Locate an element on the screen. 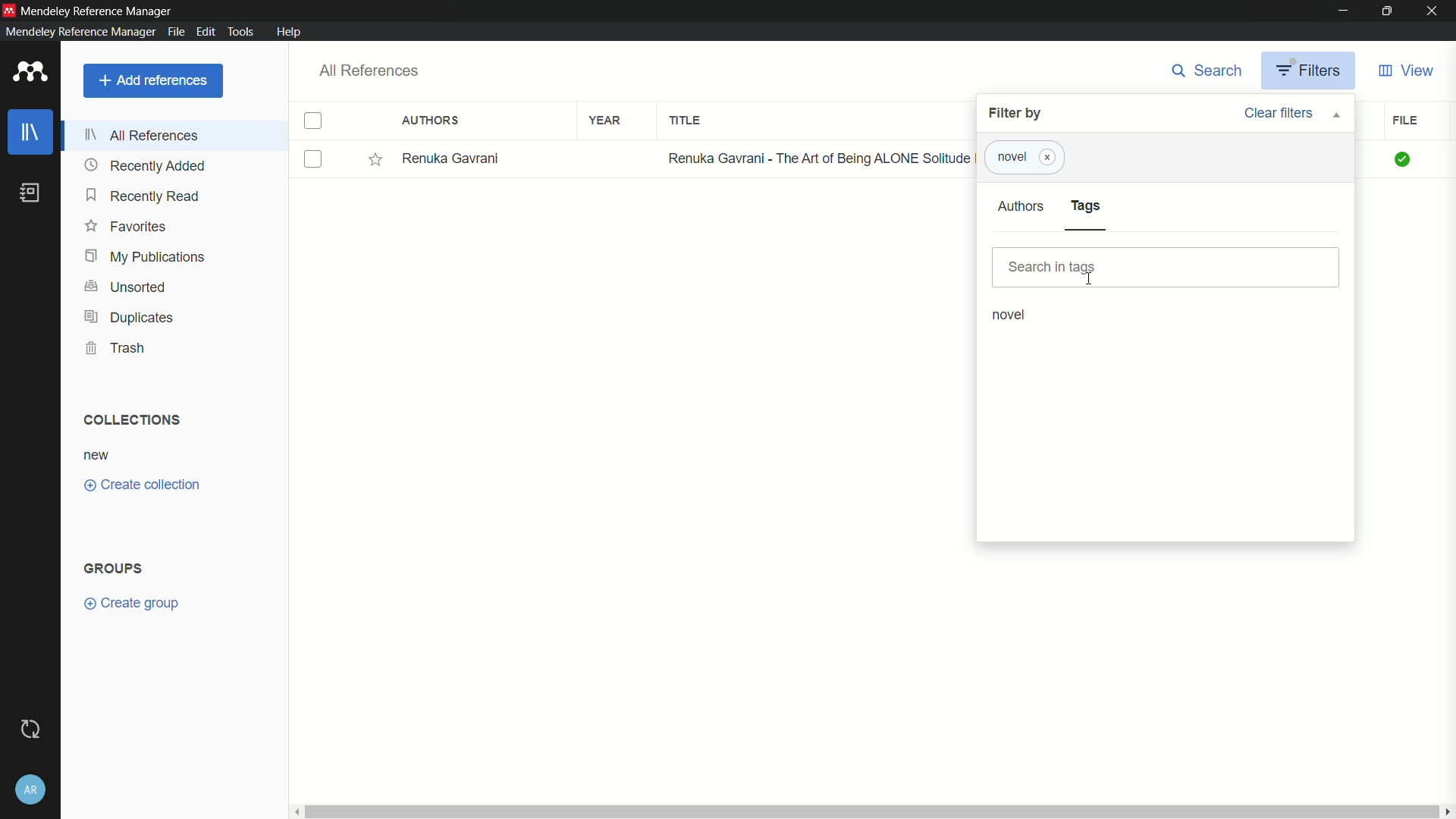  close app is located at coordinates (1435, 11).